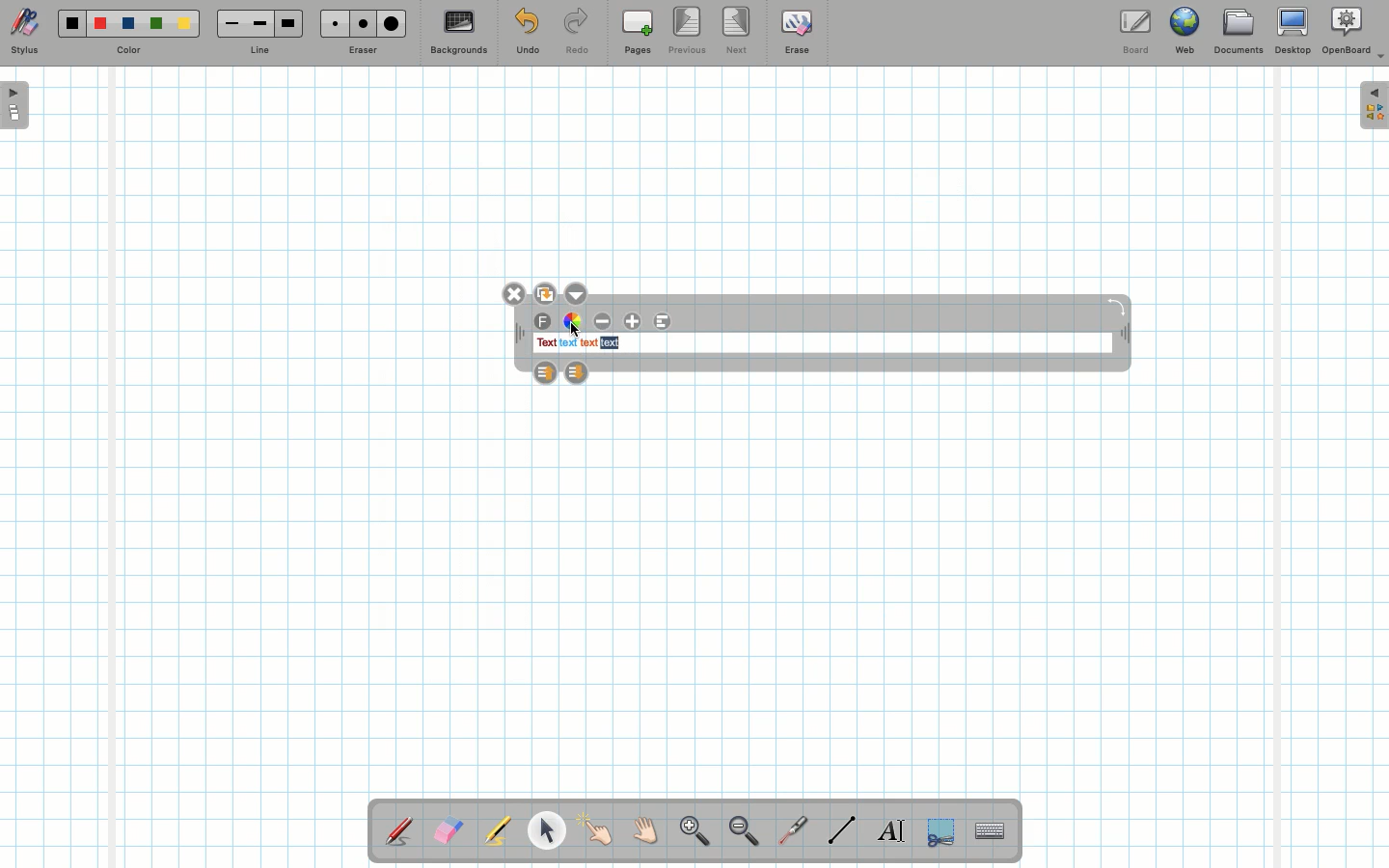 The height and width of the screenshot is (868, 1389). What do you see at coordinates (567, 343) in the screenshot?
I see `text` at bounding box center [567, 343].